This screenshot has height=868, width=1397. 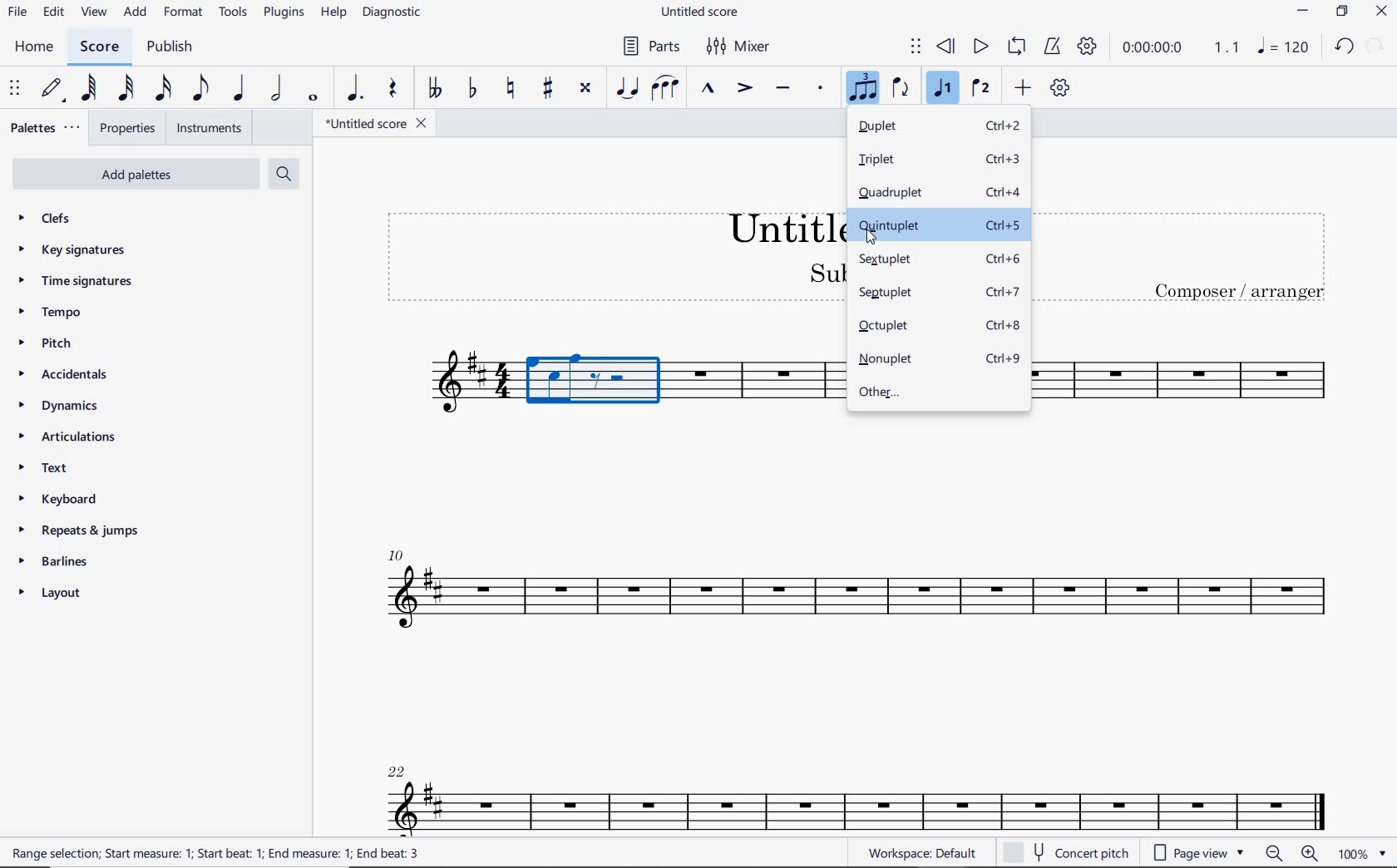 What do you see at coordinates (86, 282) in the screenshot?
I see `TIME SIGNATURES` at bounding box center [86, 282].